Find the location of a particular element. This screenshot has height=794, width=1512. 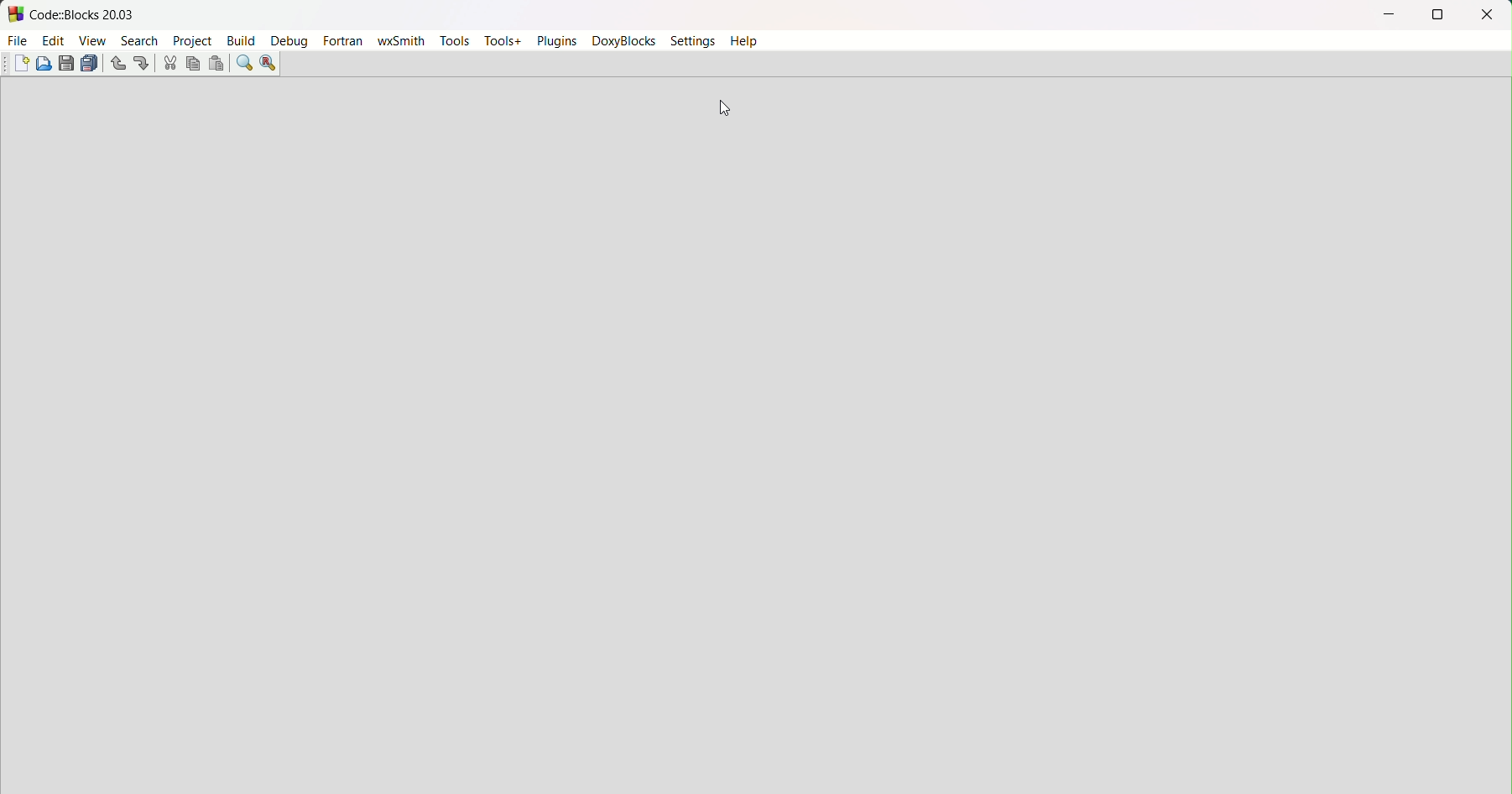

minimize is located at coordinates (1385, 15).